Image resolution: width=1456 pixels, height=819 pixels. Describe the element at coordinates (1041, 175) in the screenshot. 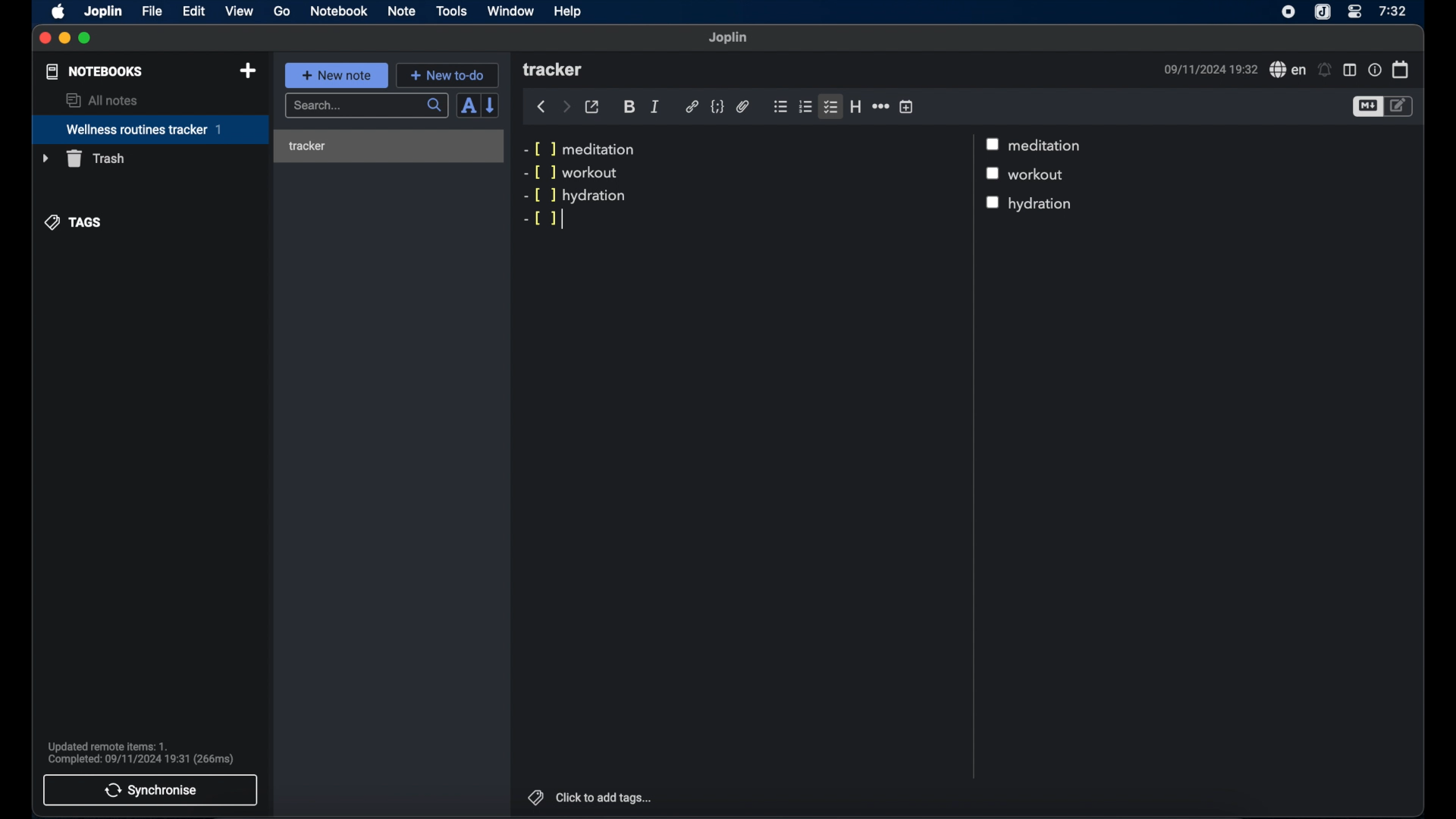

I see `workout` at that location.